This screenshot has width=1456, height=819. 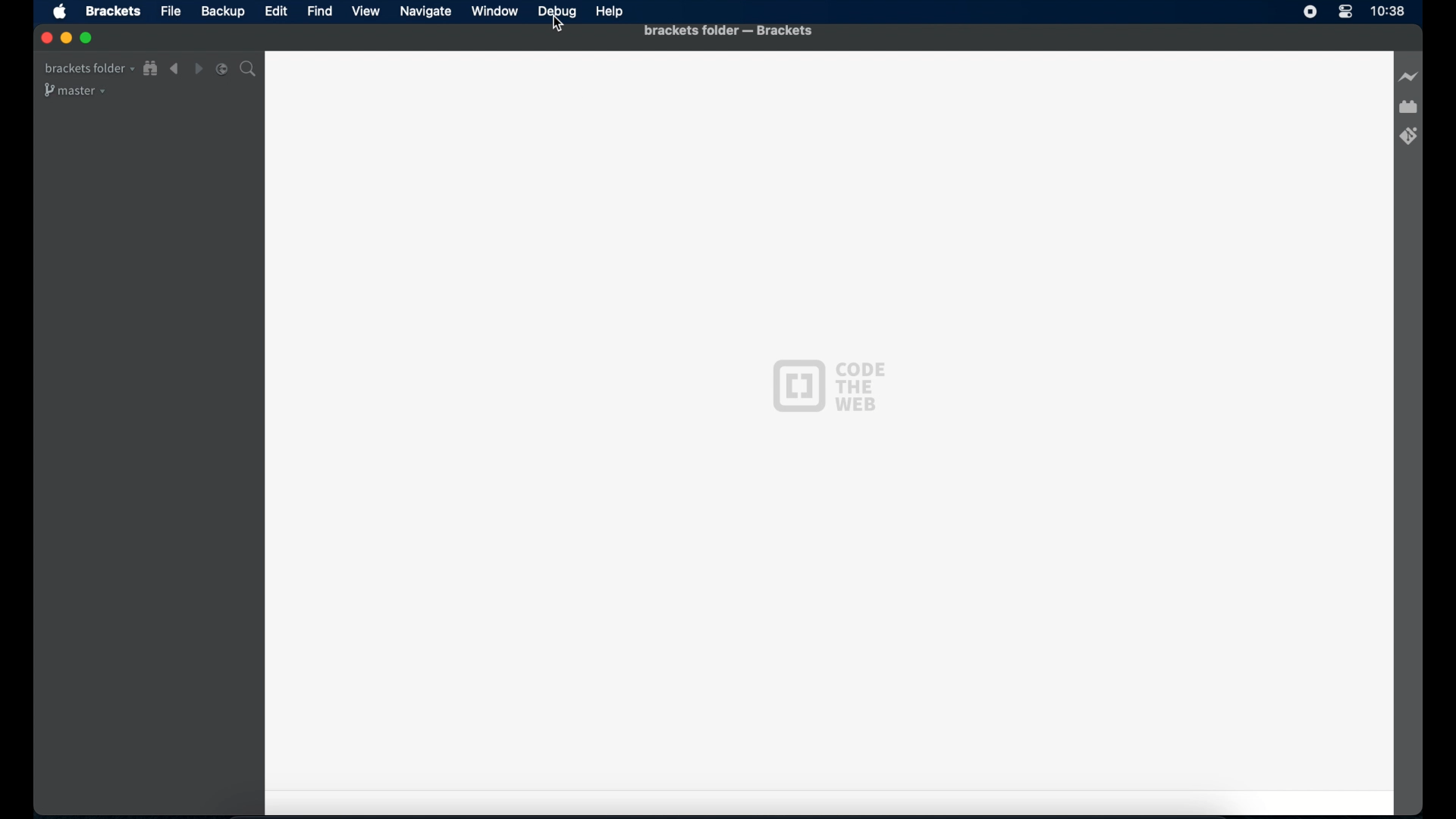 I want to click on backup, so click(x=223, y=11).